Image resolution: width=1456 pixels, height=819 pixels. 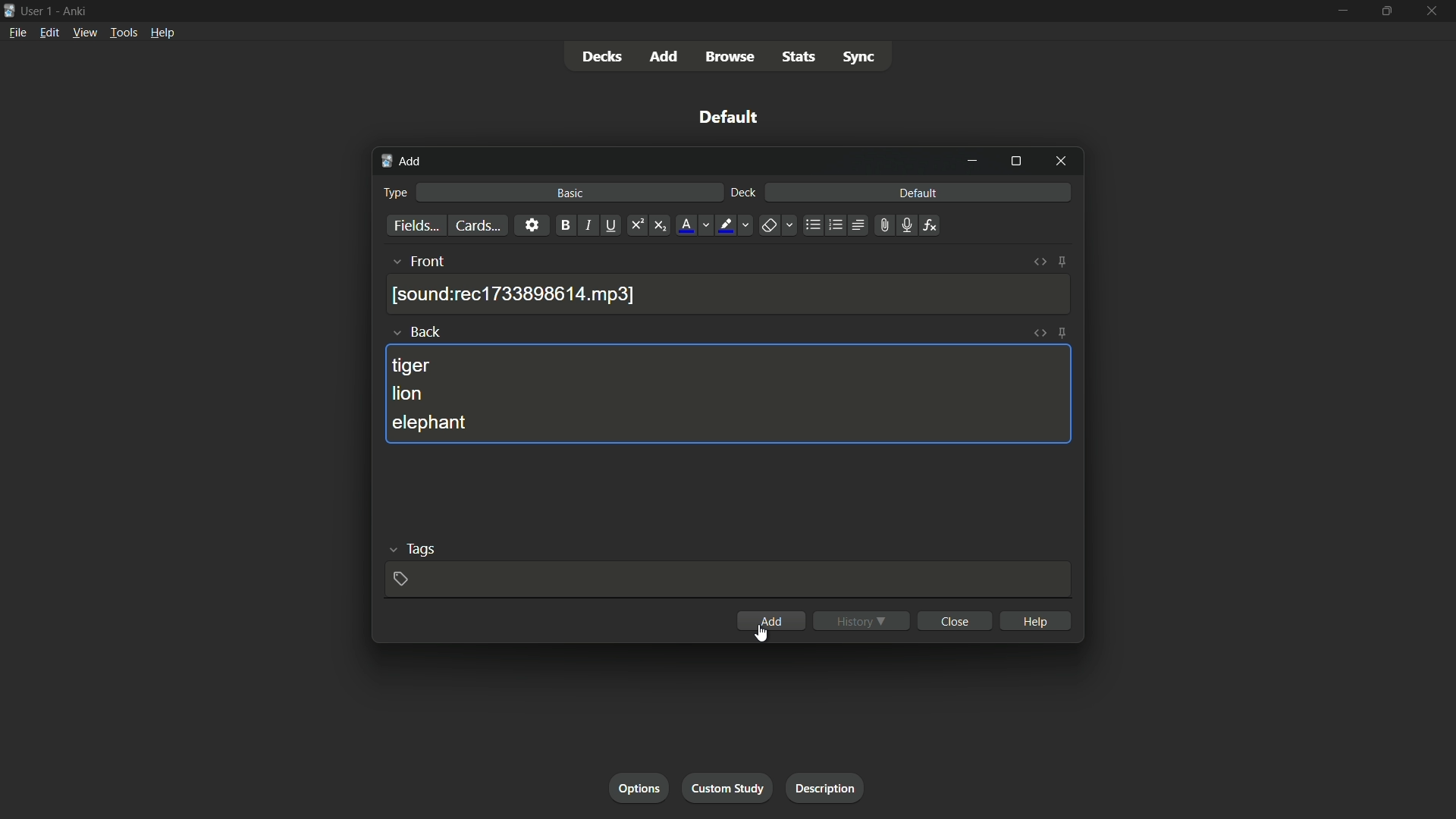 I want to click on superscript, so click(x=636, y=225).